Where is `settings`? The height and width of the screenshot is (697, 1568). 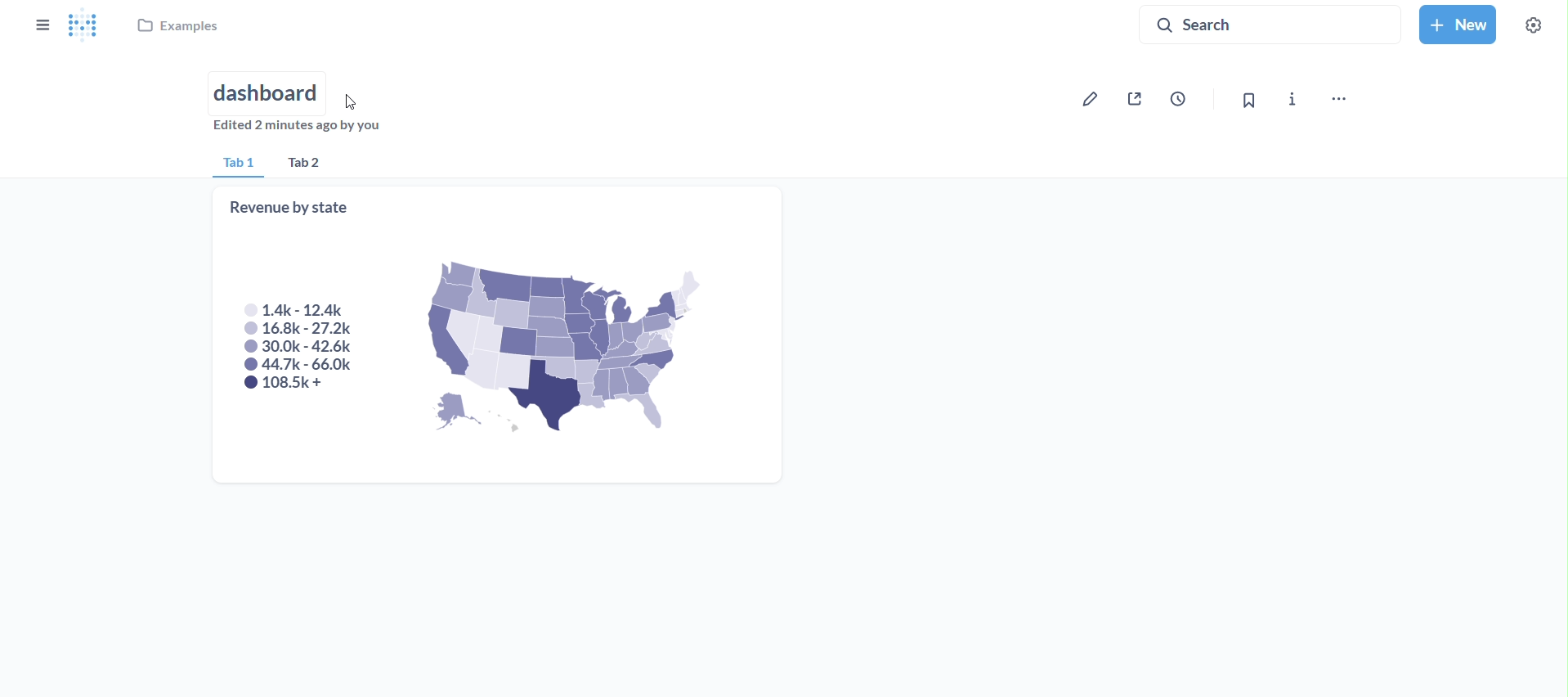 settings is located at coordinates (1530, 24).